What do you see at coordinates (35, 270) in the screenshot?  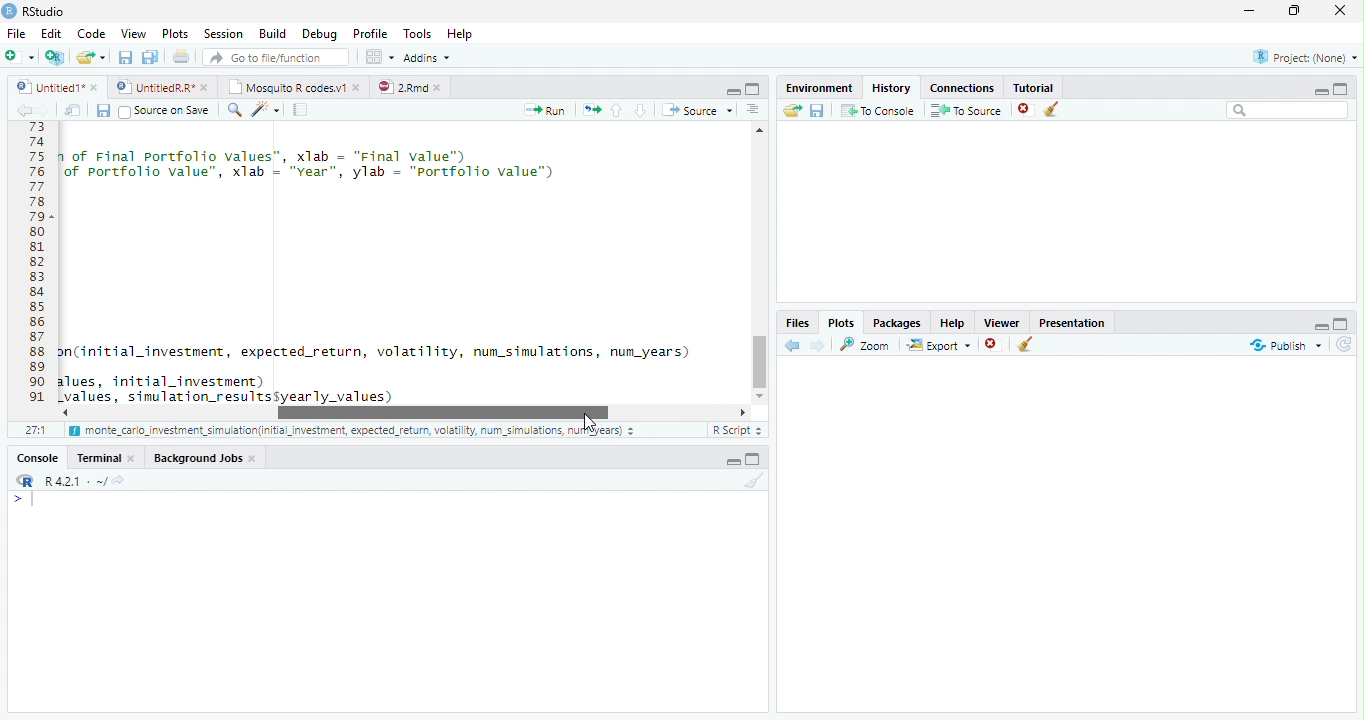 I see `Line Numbers` at bounding box center [35, 270].